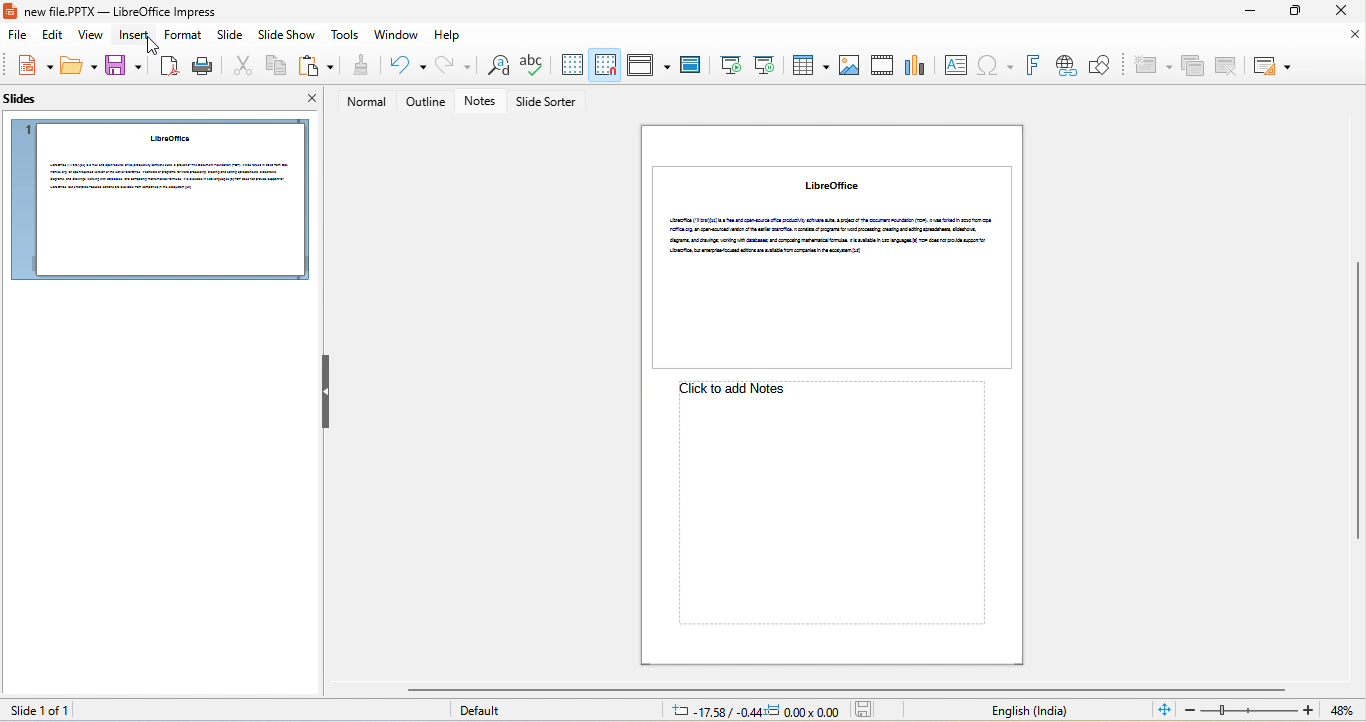 The height and width of the screenshot is (722, 1366). Describe the element at coordinates (549, 103) in the screenshot. I see `slide sorter` at that location.